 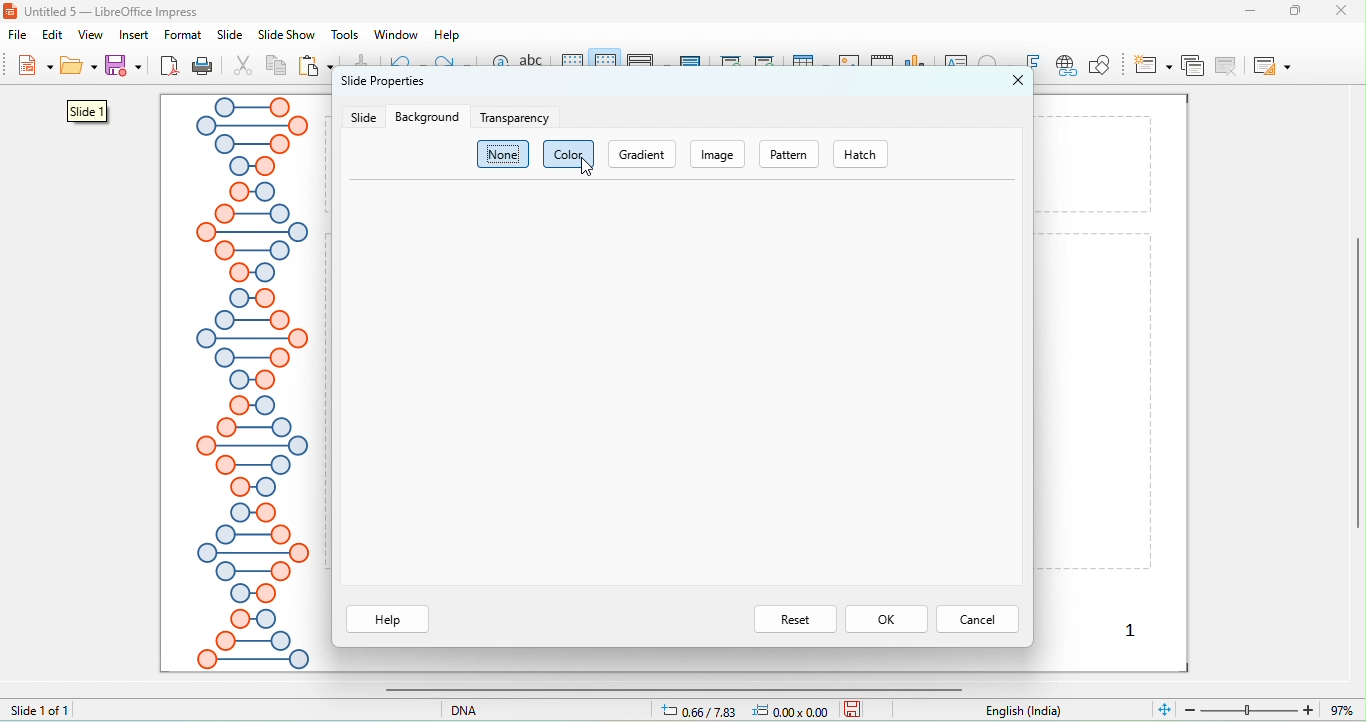 What do you see at coordinates (22, 37) in the screenshot?
I see `file` at bounding box center [22, 37].